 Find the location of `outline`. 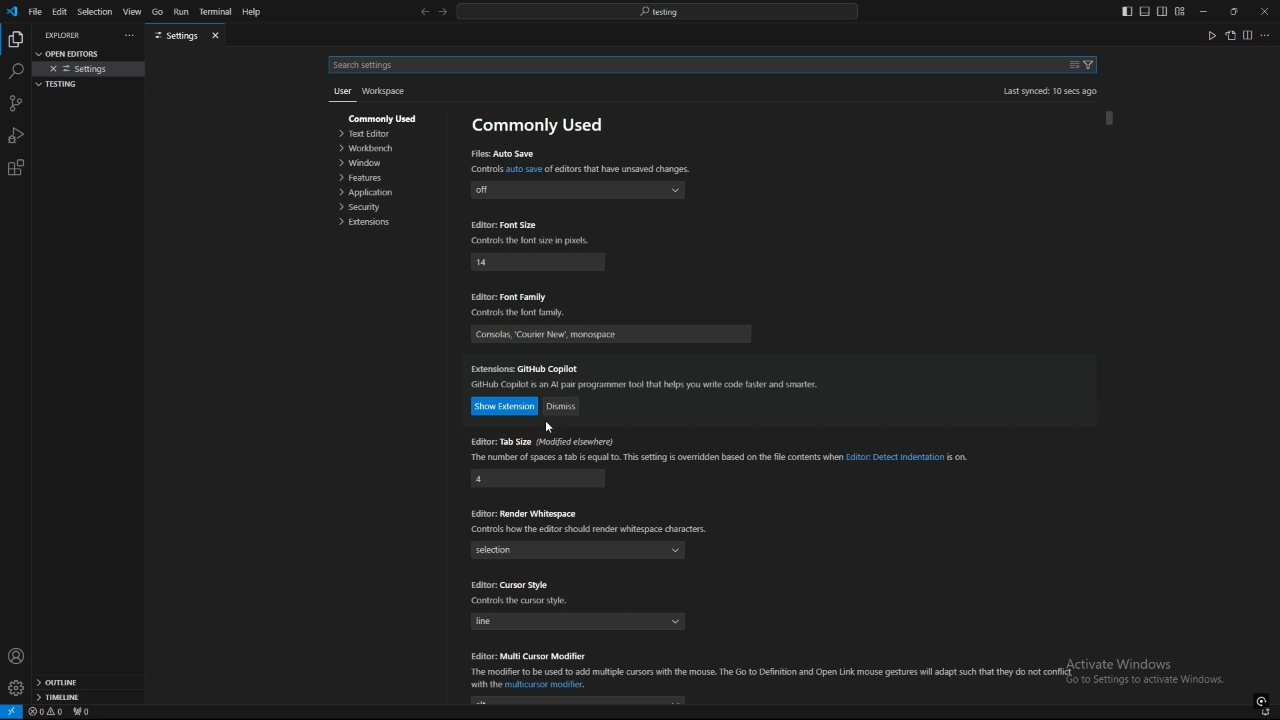

outline is located at coordinates (88, 683).